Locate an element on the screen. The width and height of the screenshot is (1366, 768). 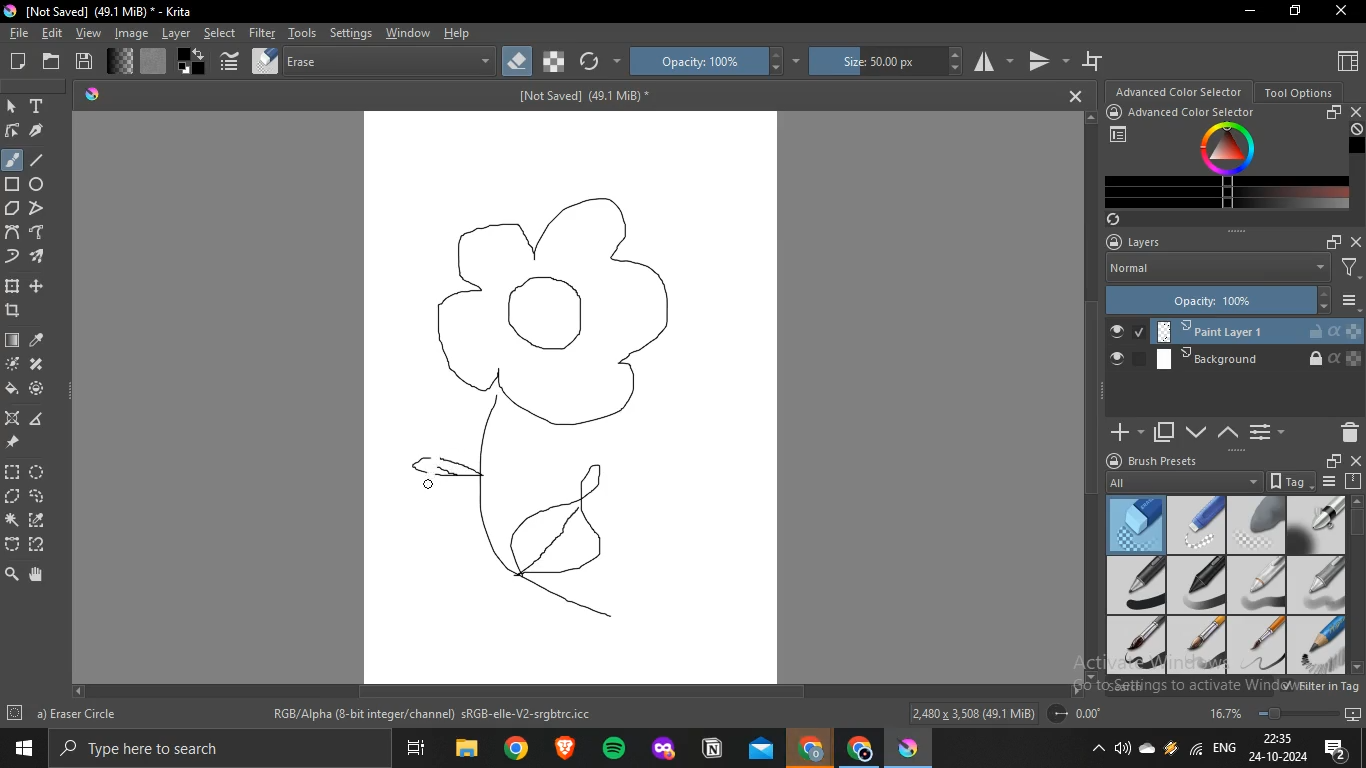
size is located at coordinates (883, 63).